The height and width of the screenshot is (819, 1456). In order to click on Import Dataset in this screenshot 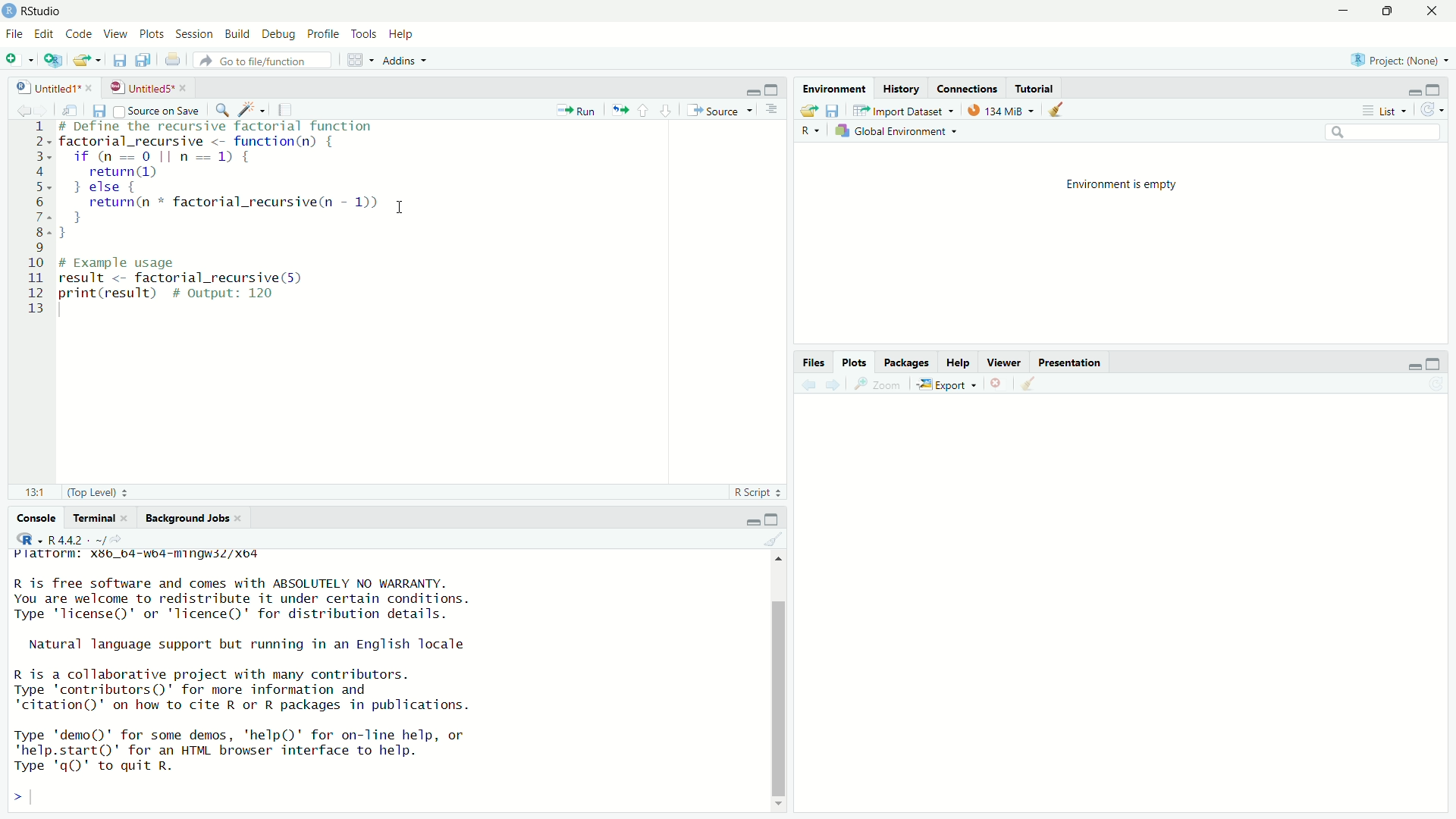, I will do `click(909, 109)`.